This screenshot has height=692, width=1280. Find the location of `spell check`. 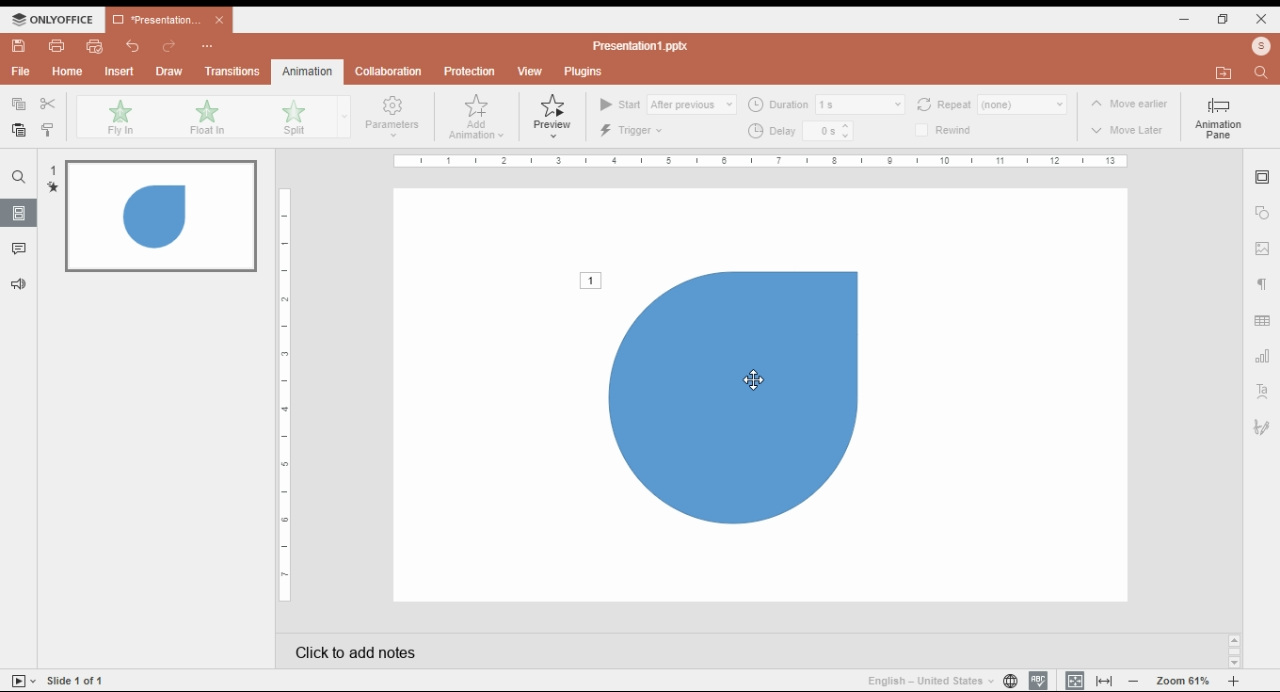

spell check is located at coordinates (1038, 681).